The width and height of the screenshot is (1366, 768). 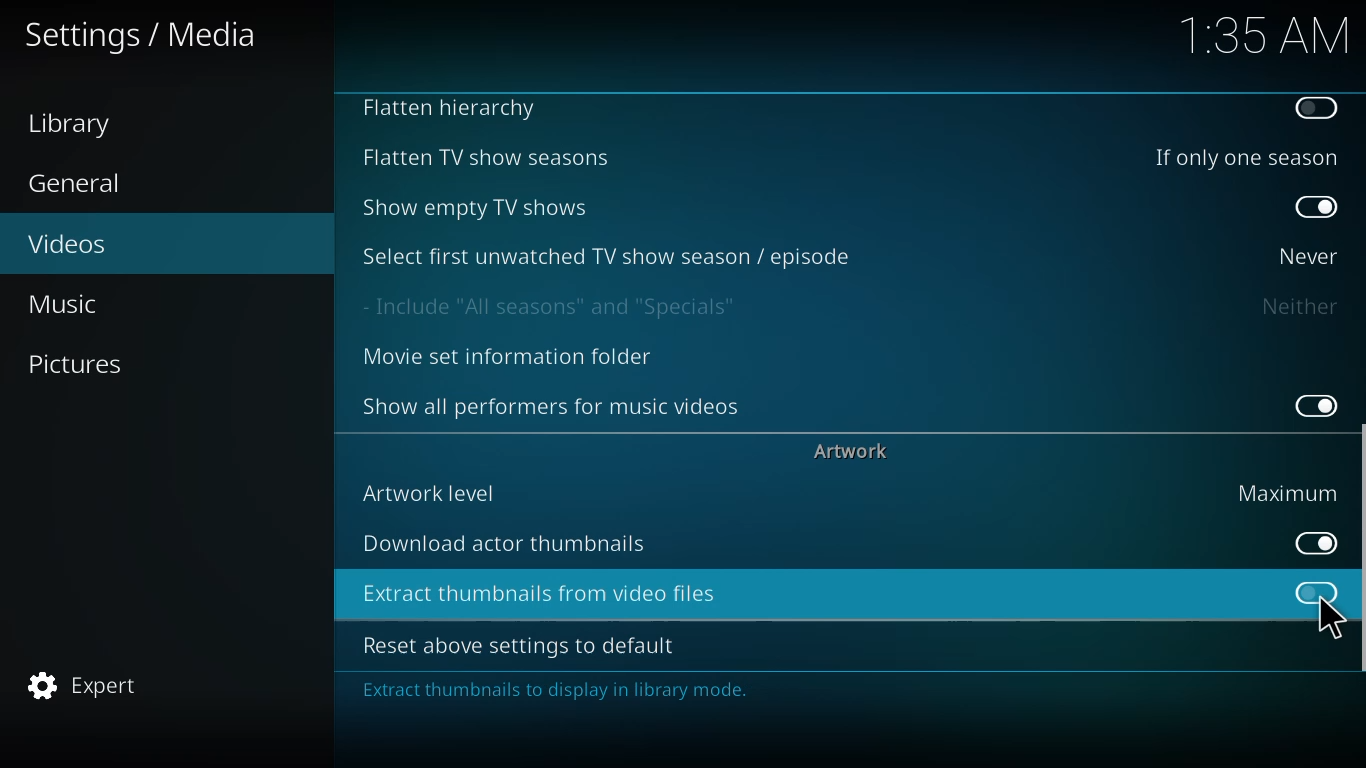 What do you see at coordinates (524, 646) in the screenshot?
I see `reset above settings to default` at bounding box center [524, 646].